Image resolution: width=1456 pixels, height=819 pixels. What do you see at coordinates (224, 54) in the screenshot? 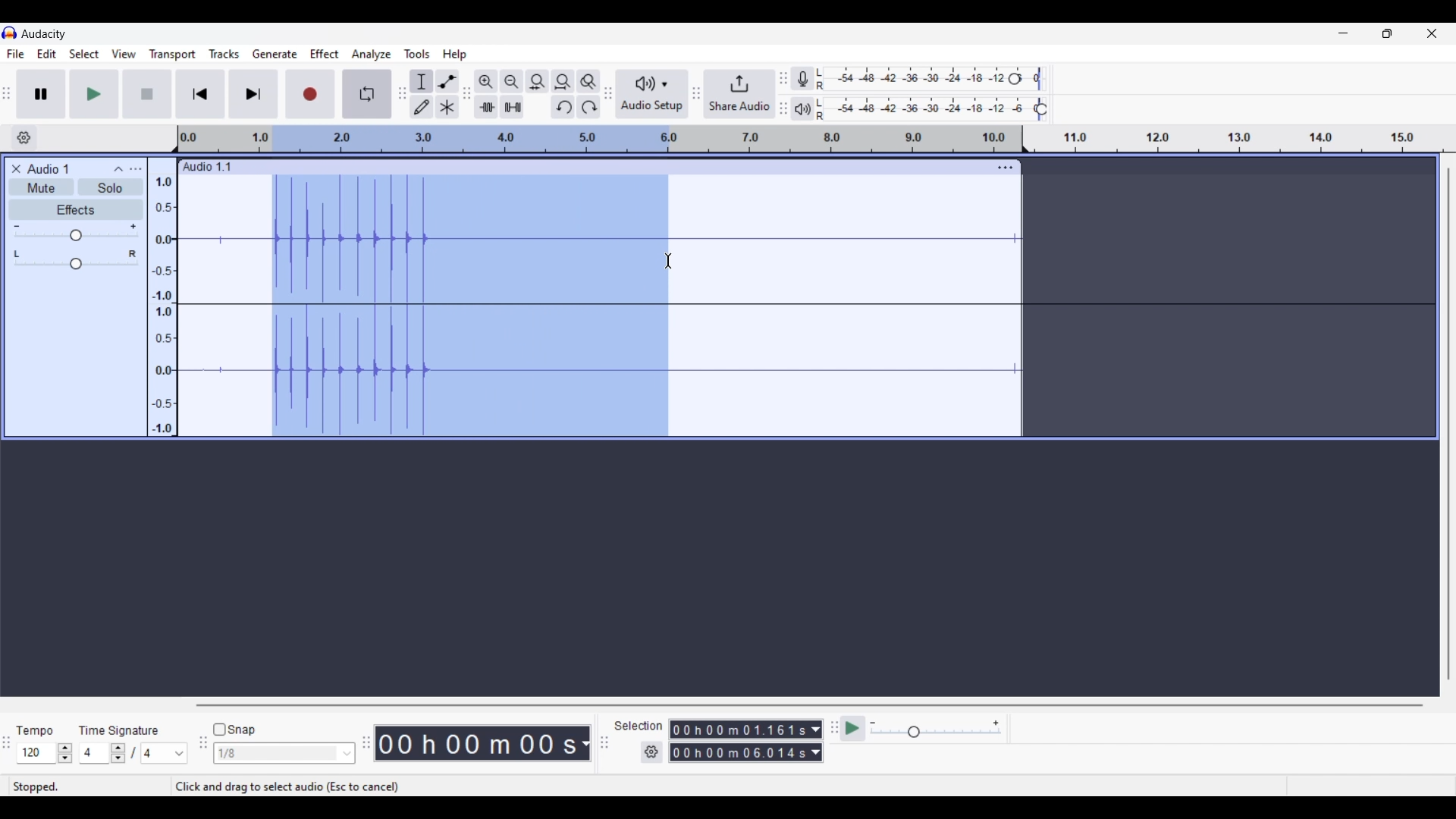
I see `Tracks menu` at bounding box center [224, 54].